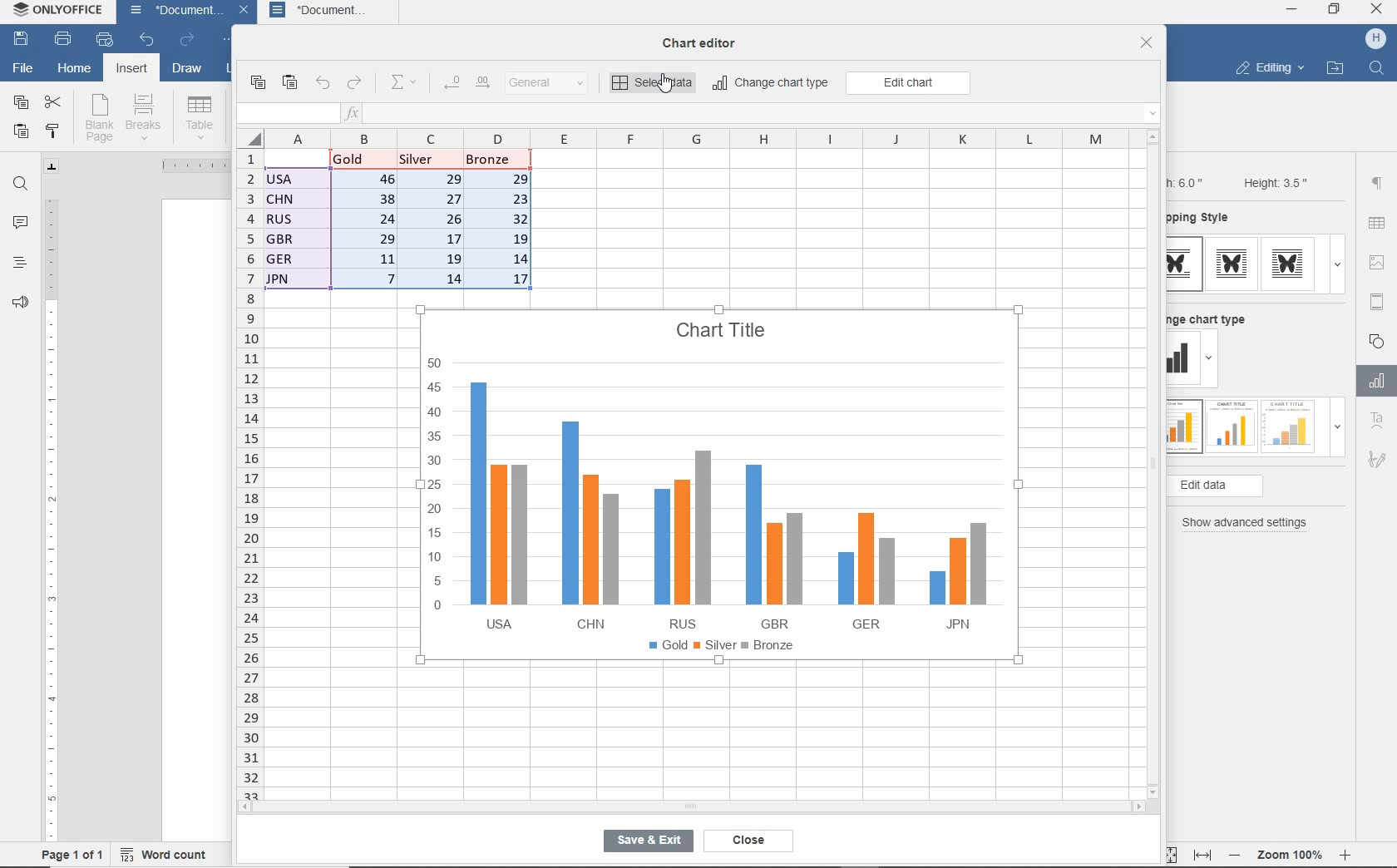  What do you see at coordinates (22, 184) in the screenshot?
I see `find` at bounding box center [22, 184].